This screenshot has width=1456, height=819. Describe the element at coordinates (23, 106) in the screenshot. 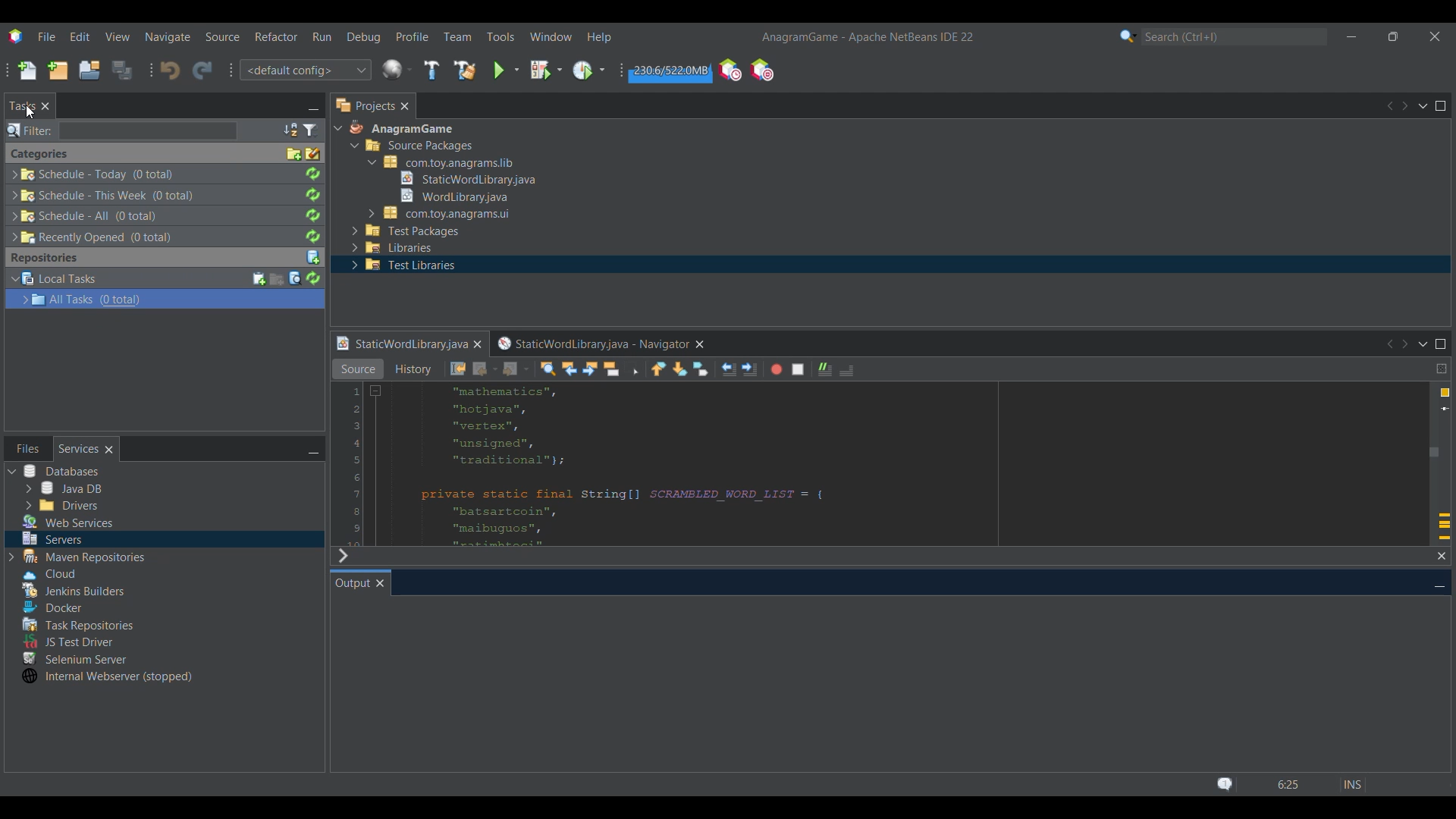

I see `Current tab` at that location.